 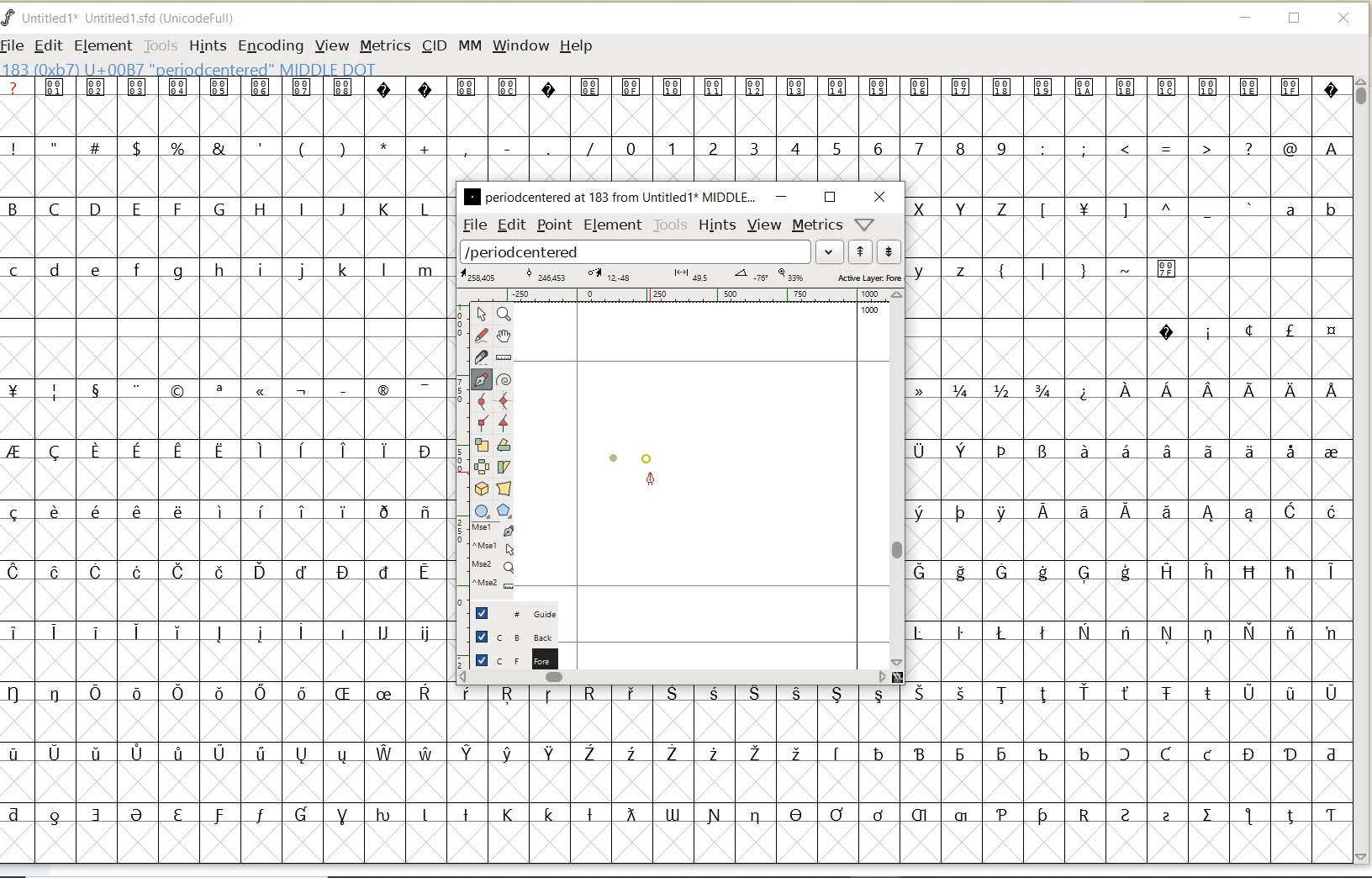 I want to click on 1000, so click(x=870, y=312).